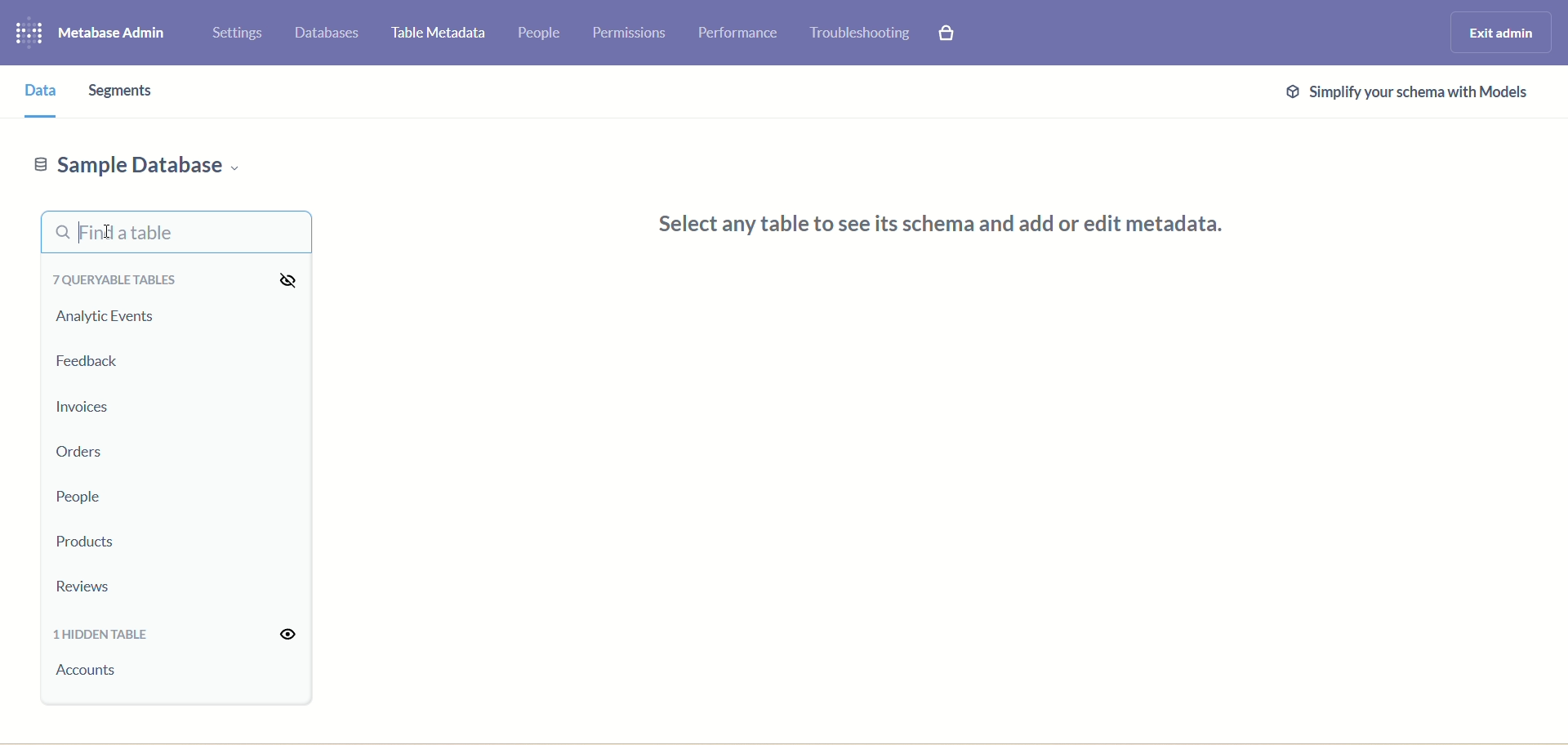 The image size is (1568, 745). What do you see at coordinates (114, 33) in the screenshot?
I see `metabase admin` at bounding box center [114, 33].